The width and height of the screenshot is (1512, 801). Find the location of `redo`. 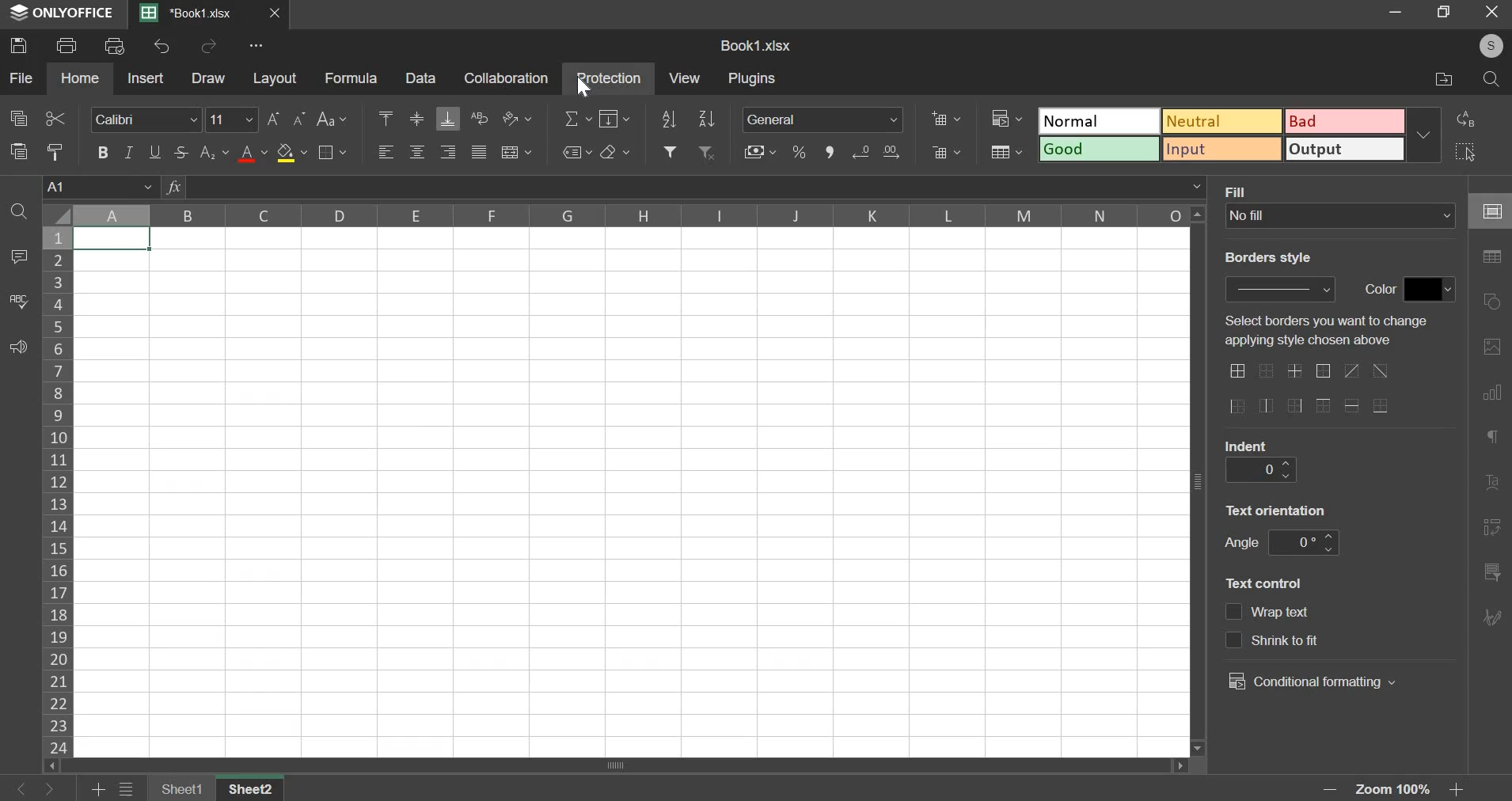

redo is located at coordinates (209, 47).